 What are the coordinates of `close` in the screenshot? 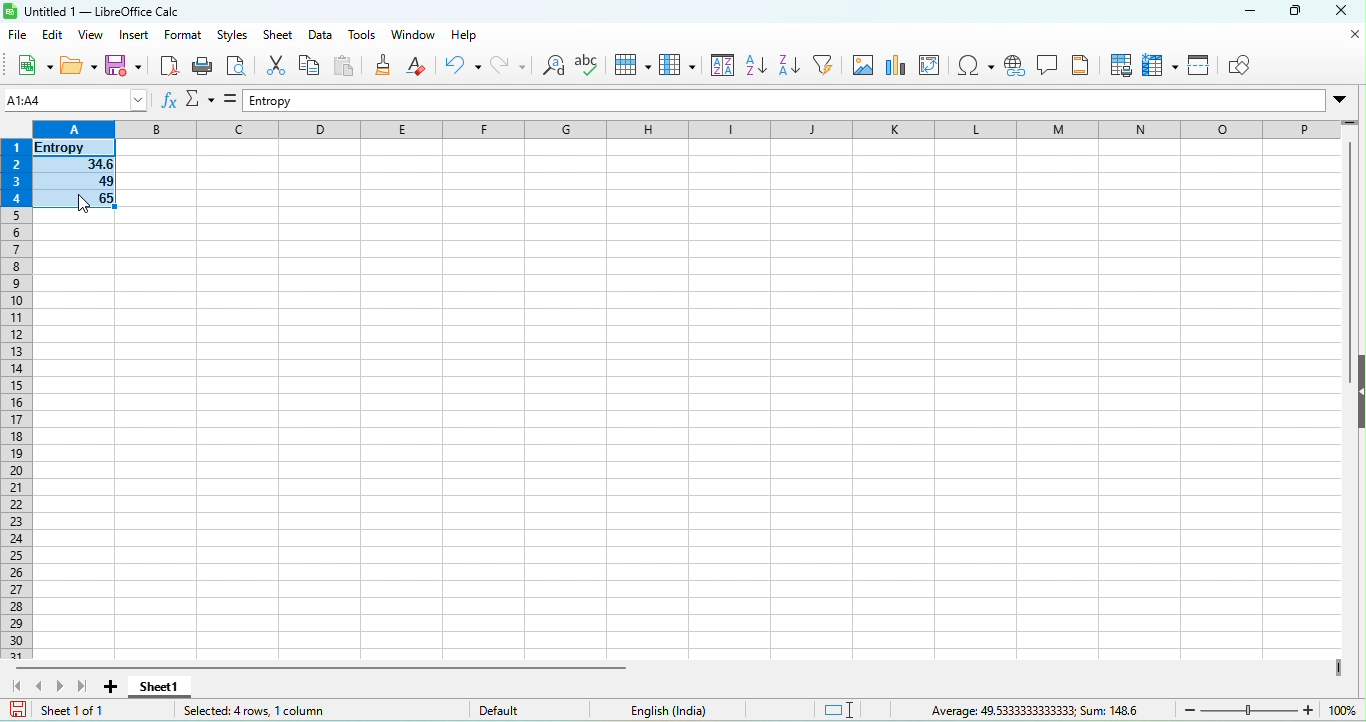 It's located at (1346, 12).